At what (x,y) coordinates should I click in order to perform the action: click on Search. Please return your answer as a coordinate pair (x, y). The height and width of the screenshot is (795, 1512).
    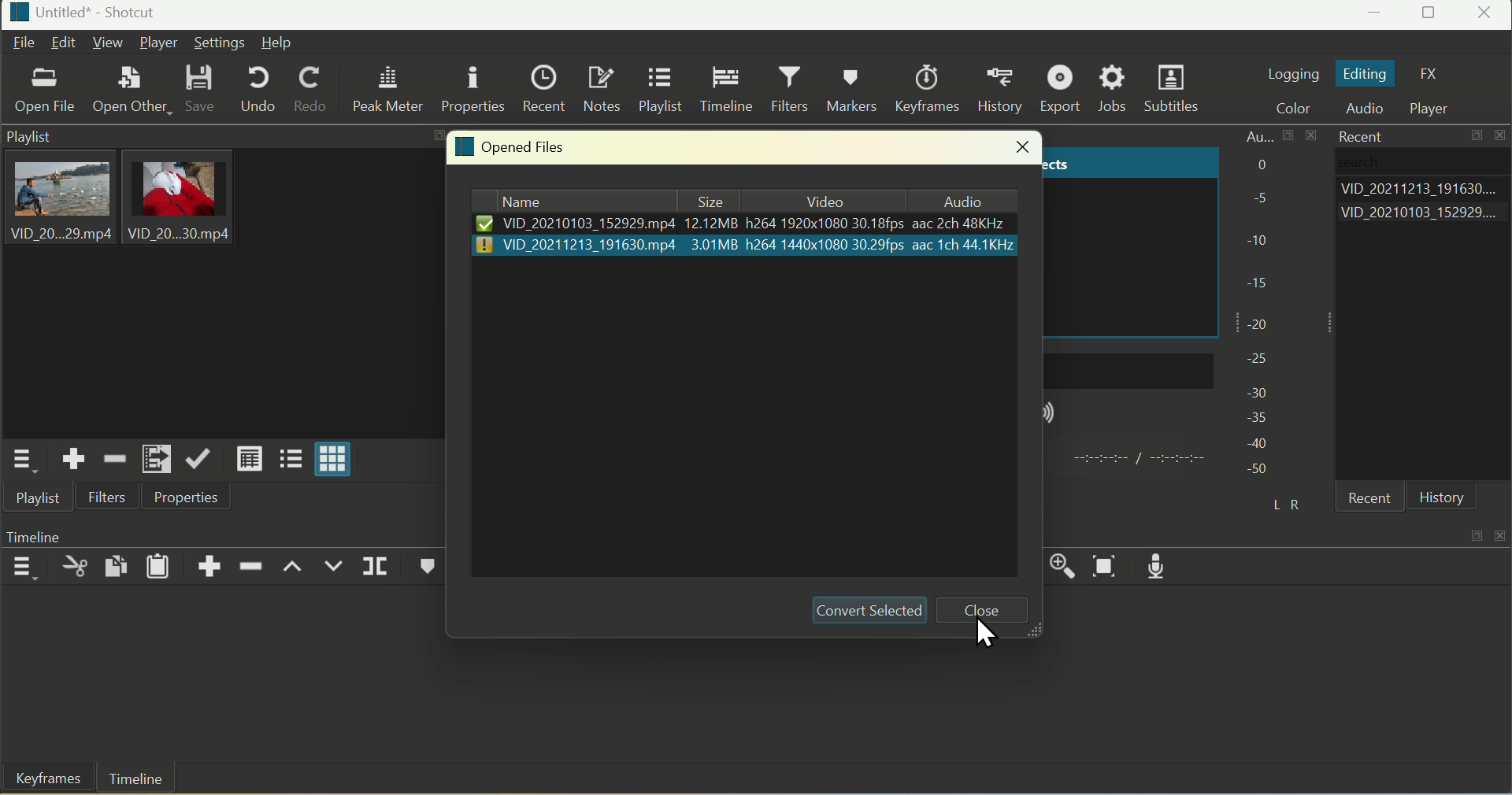
    Looking at the image, I should click on (1382, 164).